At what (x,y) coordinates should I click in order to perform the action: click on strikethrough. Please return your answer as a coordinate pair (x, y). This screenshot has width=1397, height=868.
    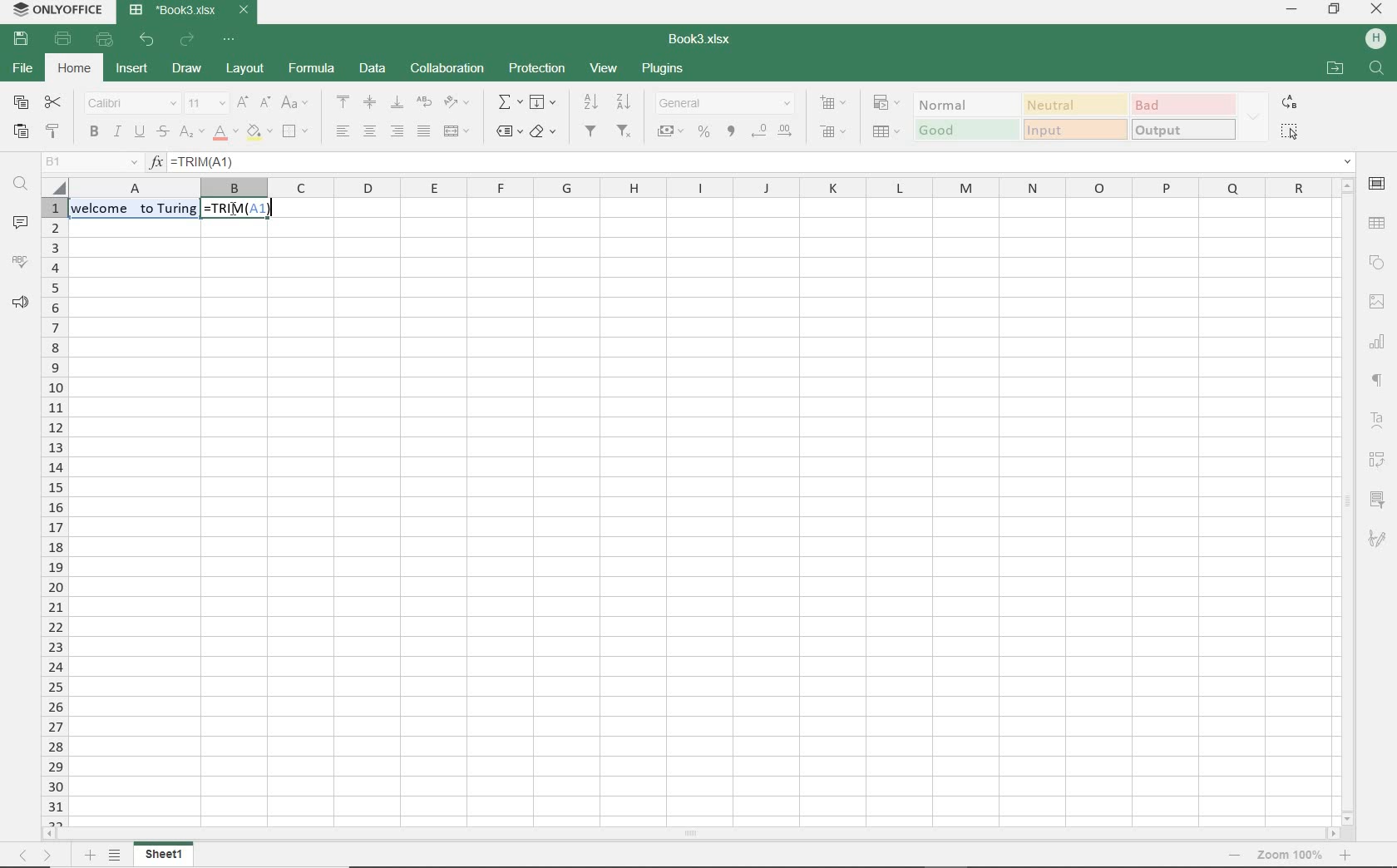
    Looking at the image, I should click on (164, 133).